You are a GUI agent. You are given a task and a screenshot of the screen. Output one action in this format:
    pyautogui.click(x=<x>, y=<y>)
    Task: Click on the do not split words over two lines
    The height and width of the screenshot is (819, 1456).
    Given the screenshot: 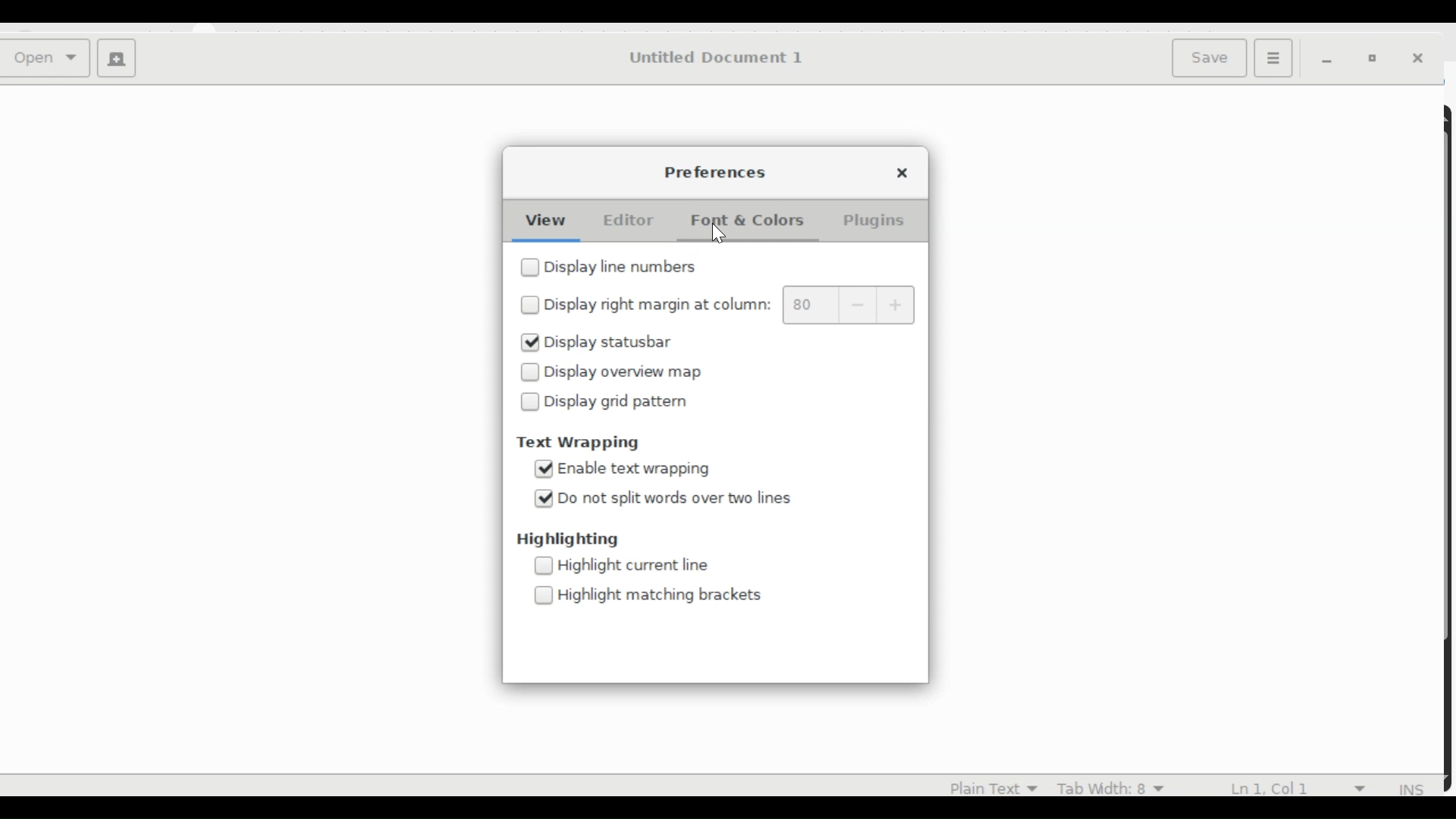 What is the action you would take?
    pyautogui.click(x=685, y=499)
    